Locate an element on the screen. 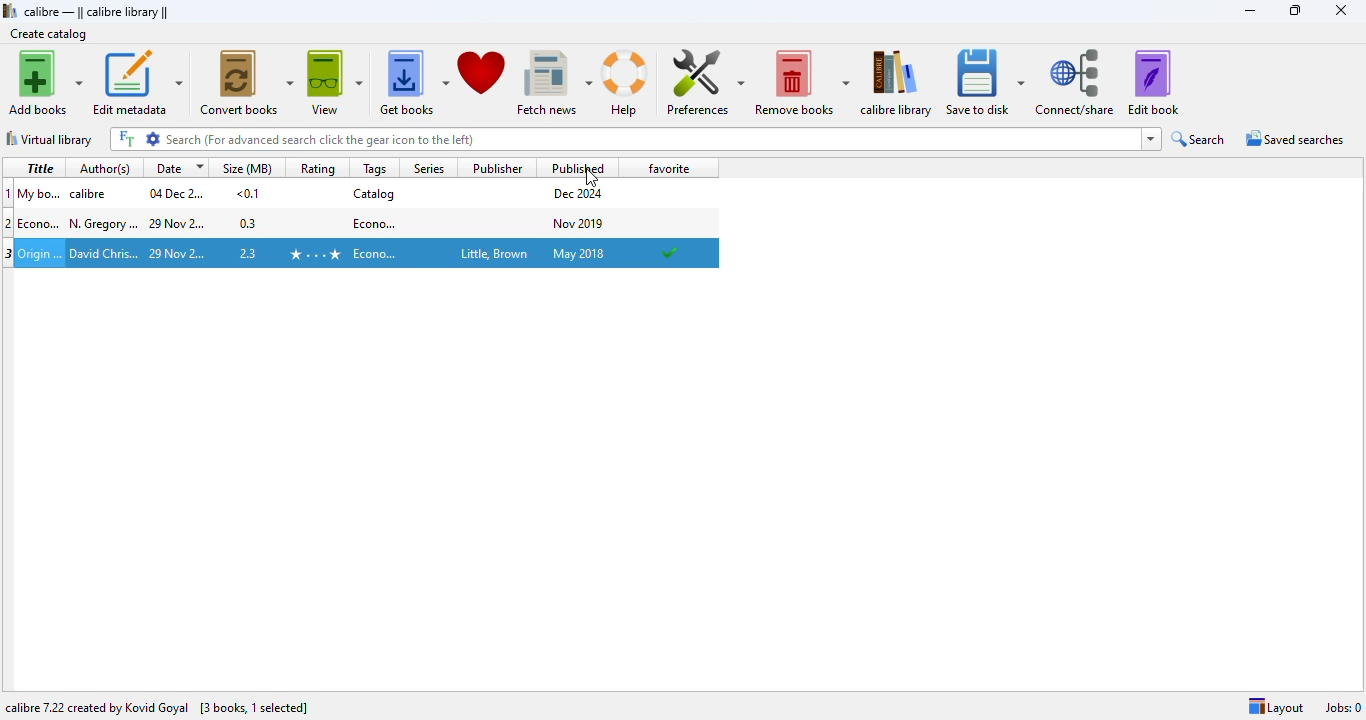  rating is located at coordinates (318, 167).